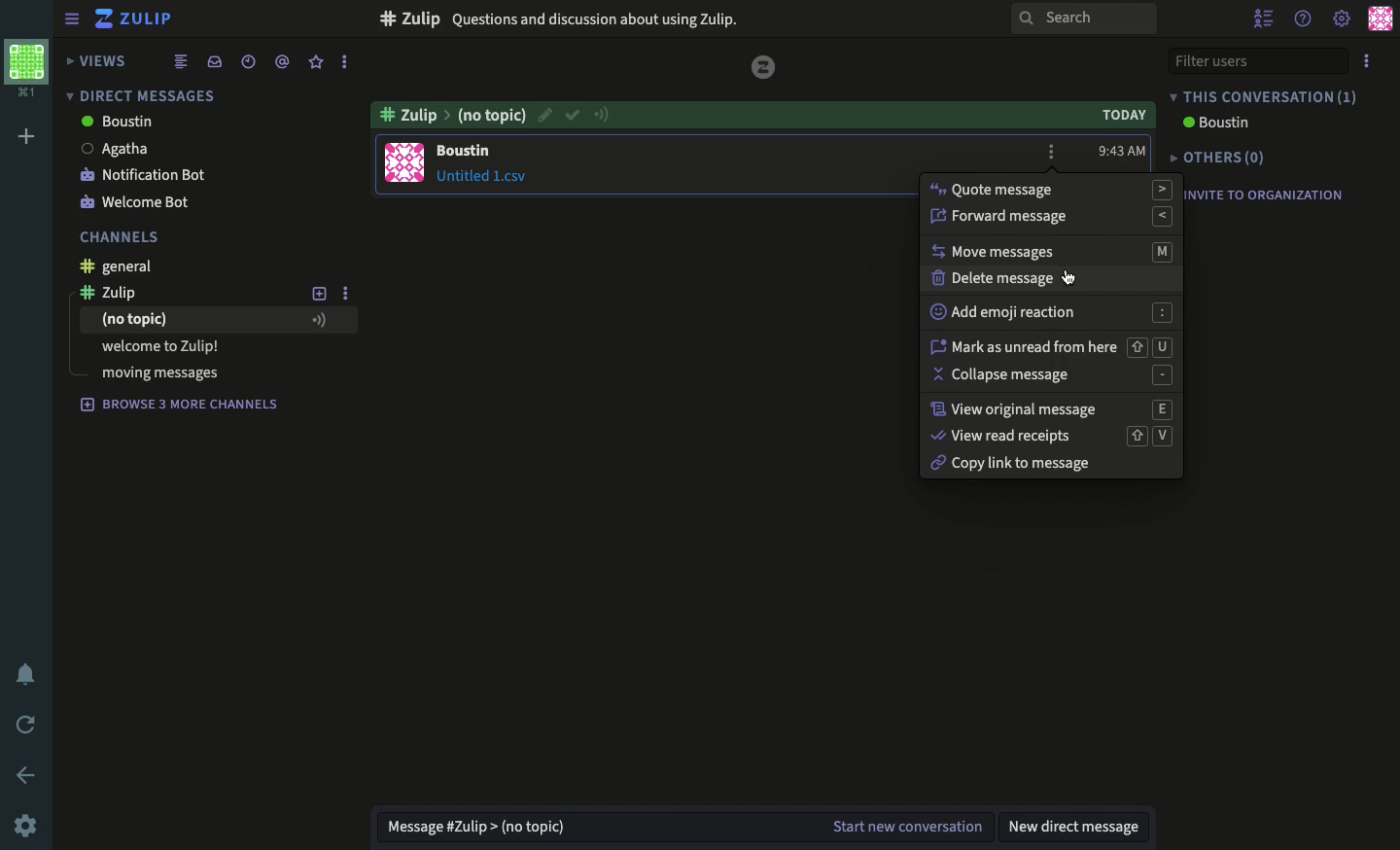 This screenshot has height=850, width=1400. What do you see at coordinates (139, 202) in the screenshot?
I see `welcome bot` at bounding box center [139, 202].